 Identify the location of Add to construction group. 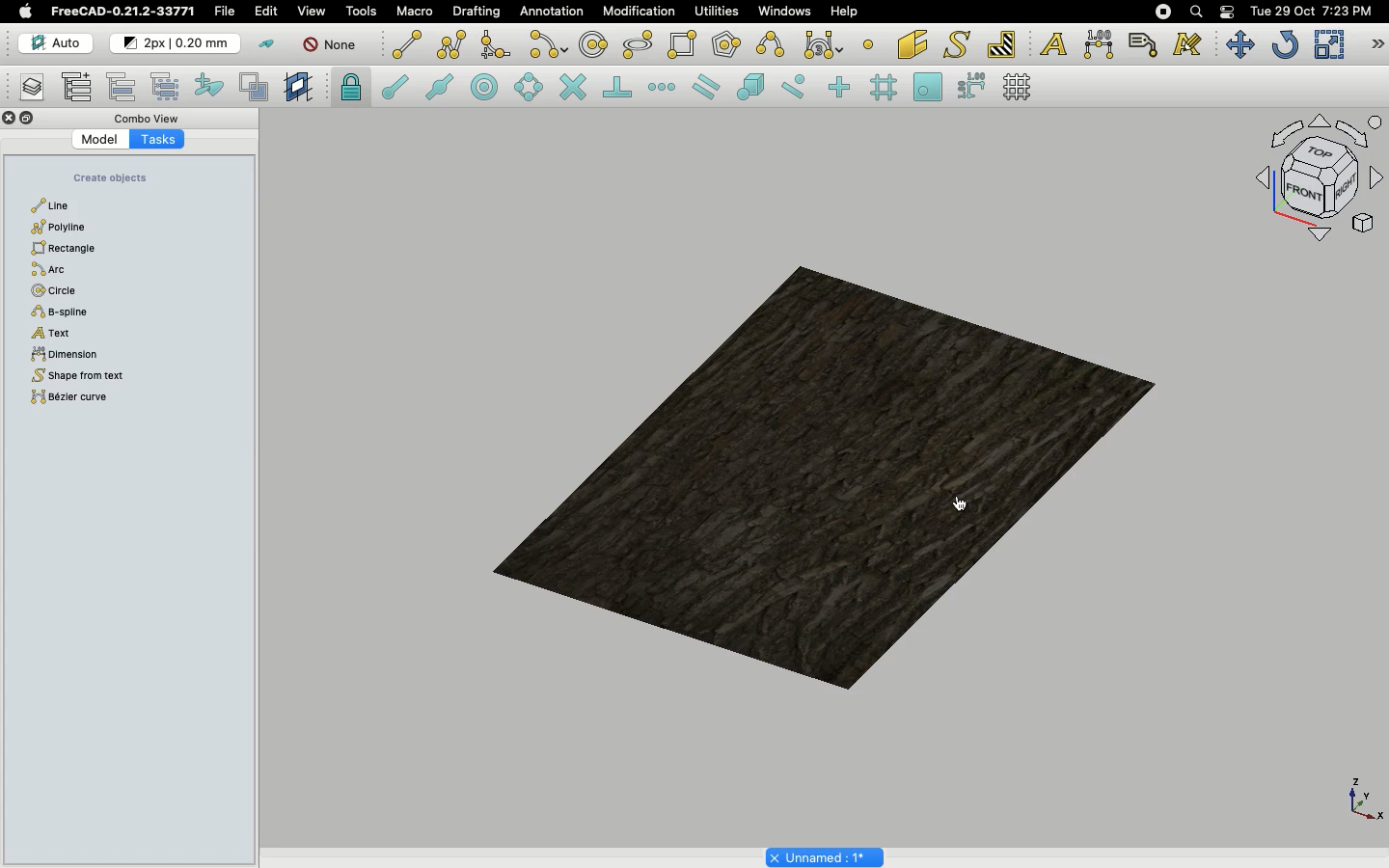
(210, 89).